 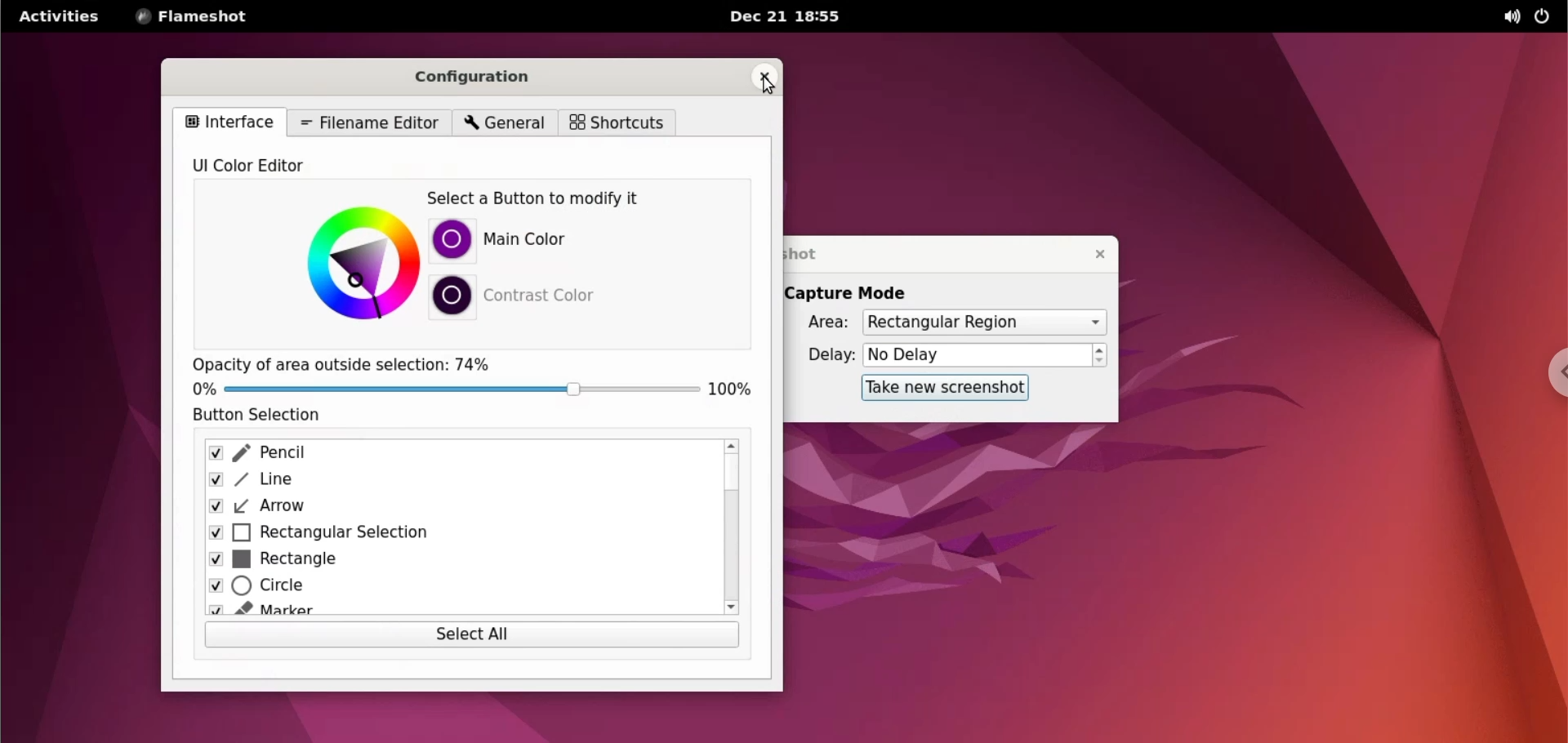 What do you see at coordinates (501, 123) in the screenshot?
I see `general ` at bounding box center [501, 123].